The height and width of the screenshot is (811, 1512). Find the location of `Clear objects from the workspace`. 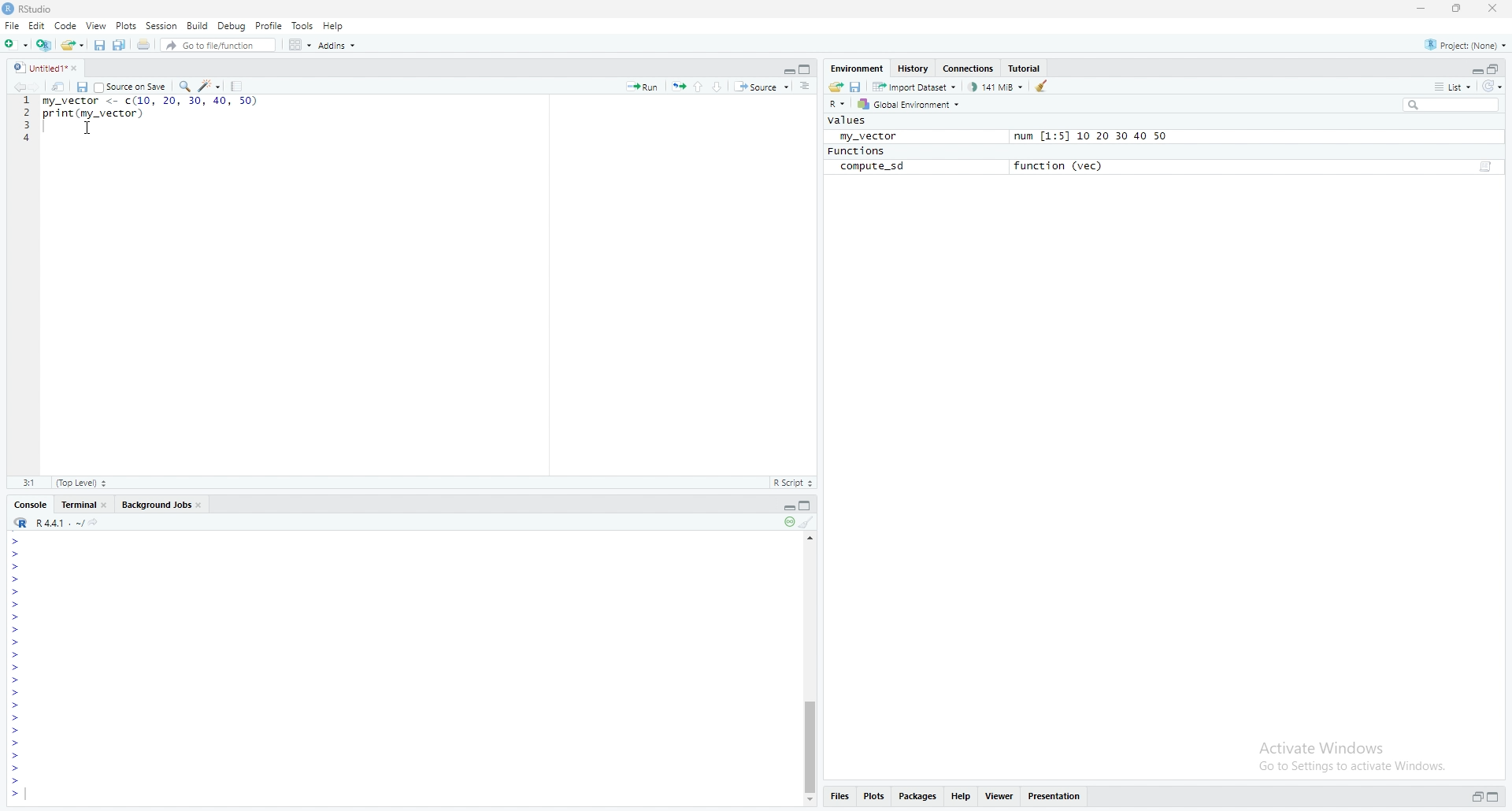

Clear objects from the workspace is located at coordinates (1045, 85).